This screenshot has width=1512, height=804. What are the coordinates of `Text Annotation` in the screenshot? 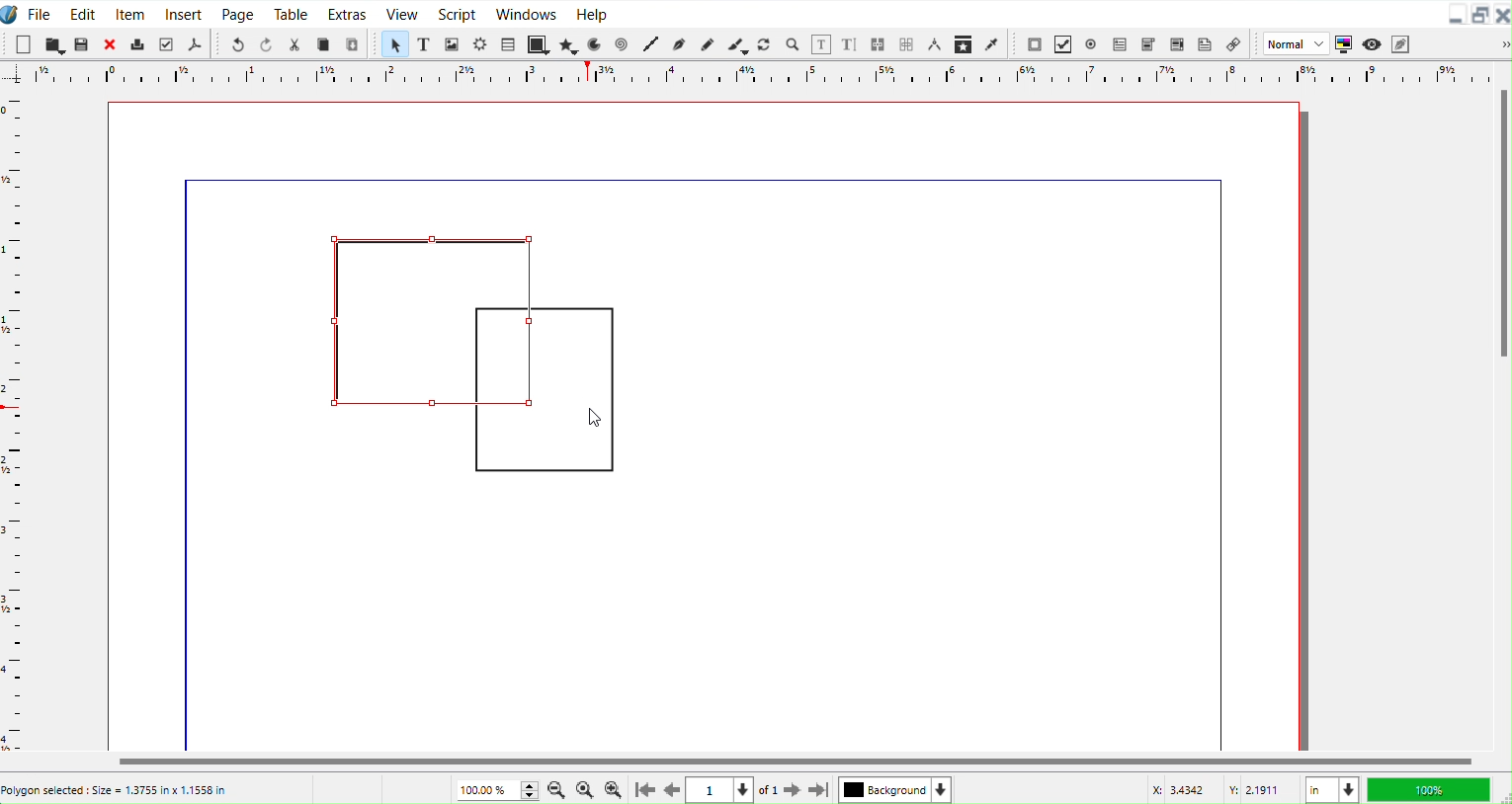 It's located at (1205, 42).